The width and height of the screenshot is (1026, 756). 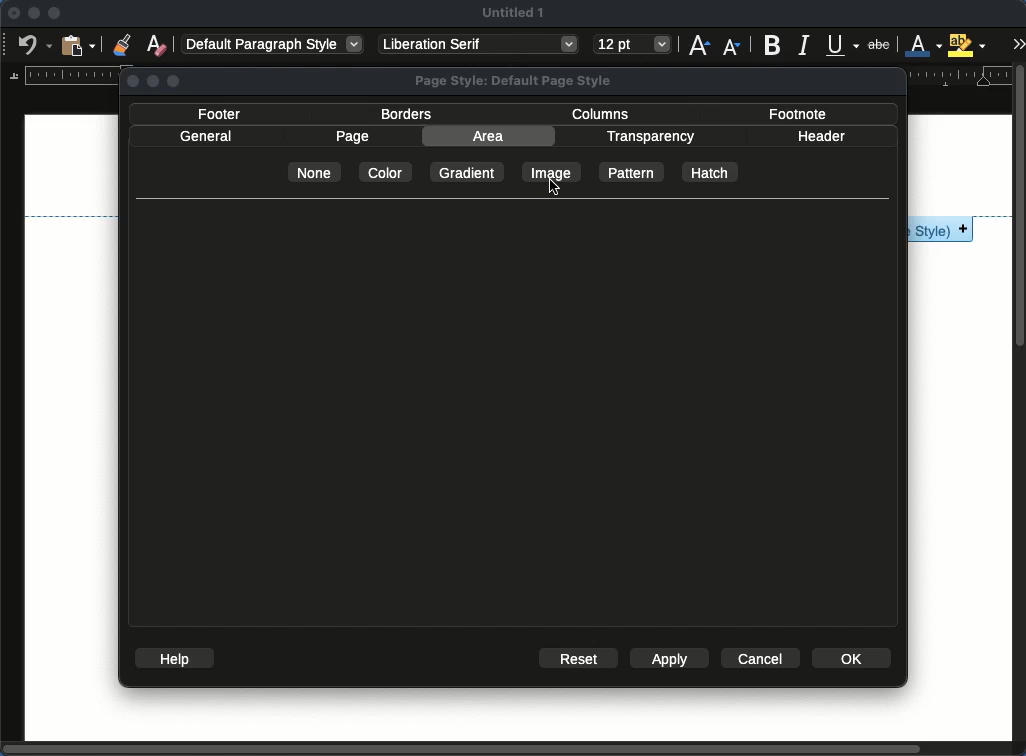 I want to click on cancel, so click(x=762, y=658).